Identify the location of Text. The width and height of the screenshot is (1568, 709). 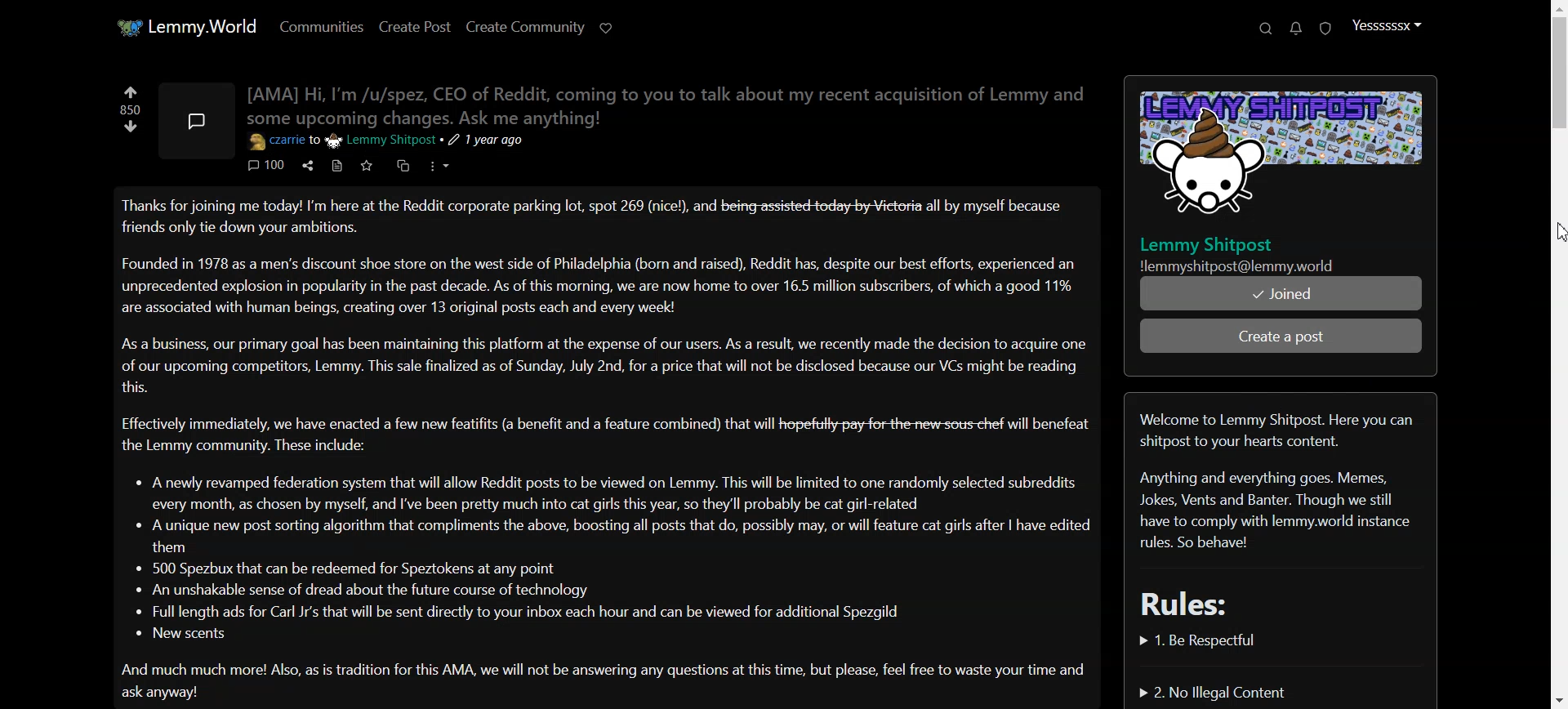
(599, 451).